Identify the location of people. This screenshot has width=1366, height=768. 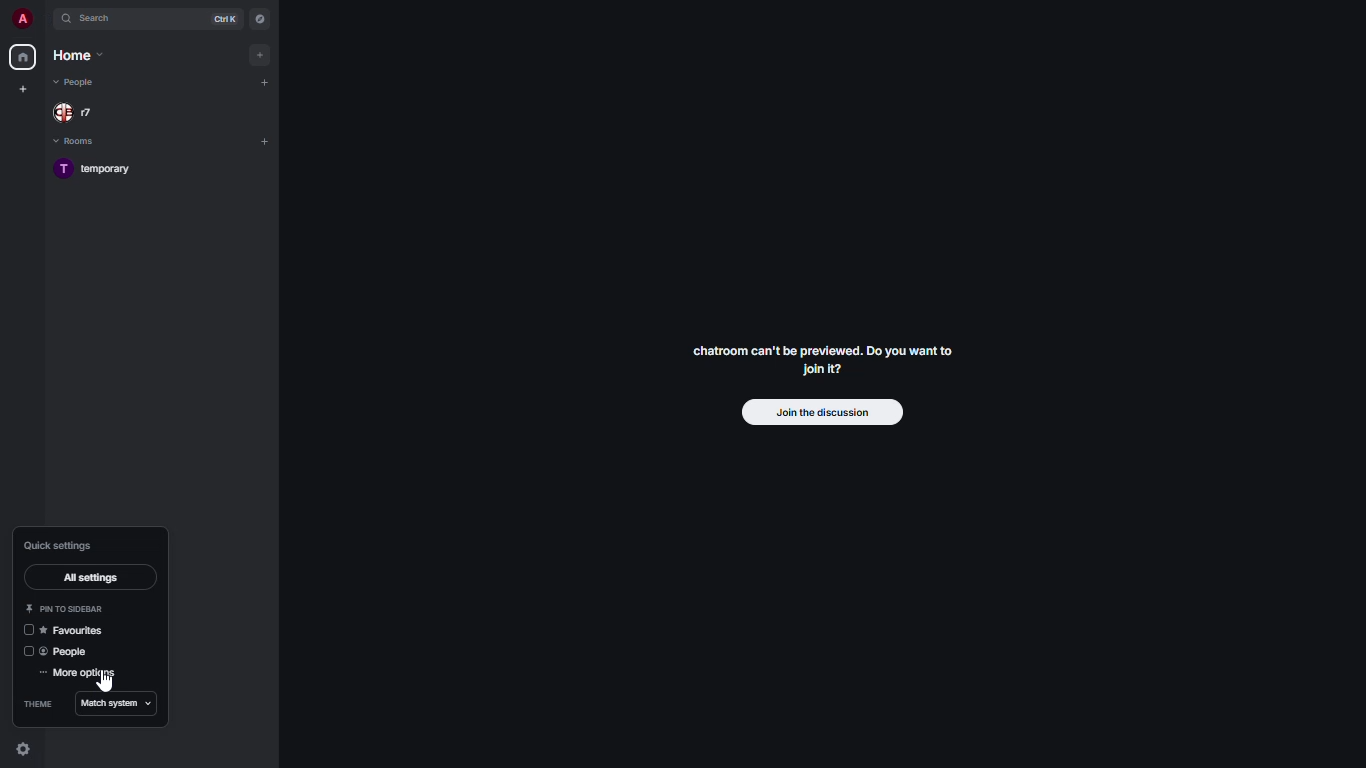
(78, 112).